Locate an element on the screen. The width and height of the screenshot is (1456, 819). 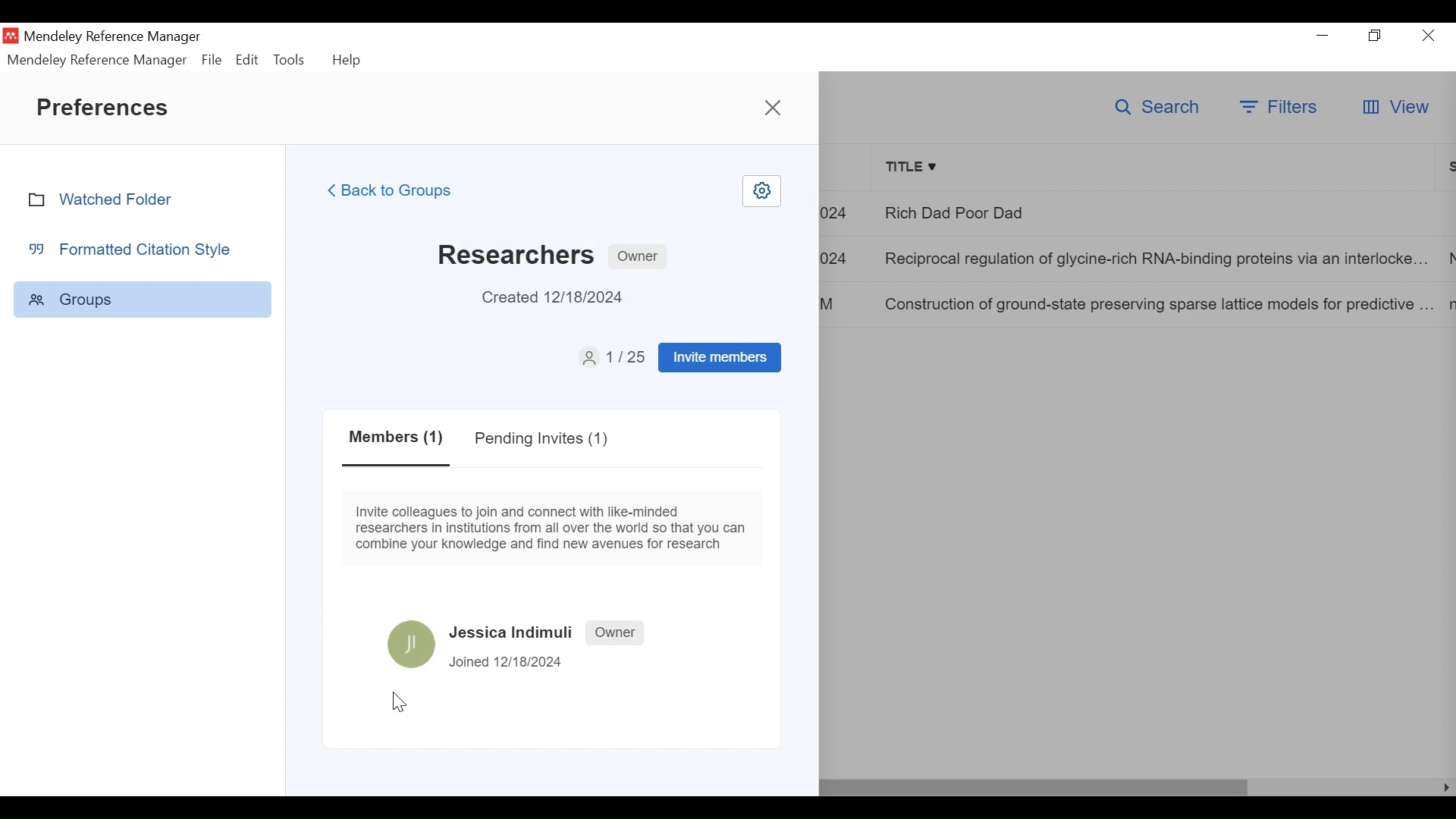
Jessica Indimuli is located at coordinates (513, 632).